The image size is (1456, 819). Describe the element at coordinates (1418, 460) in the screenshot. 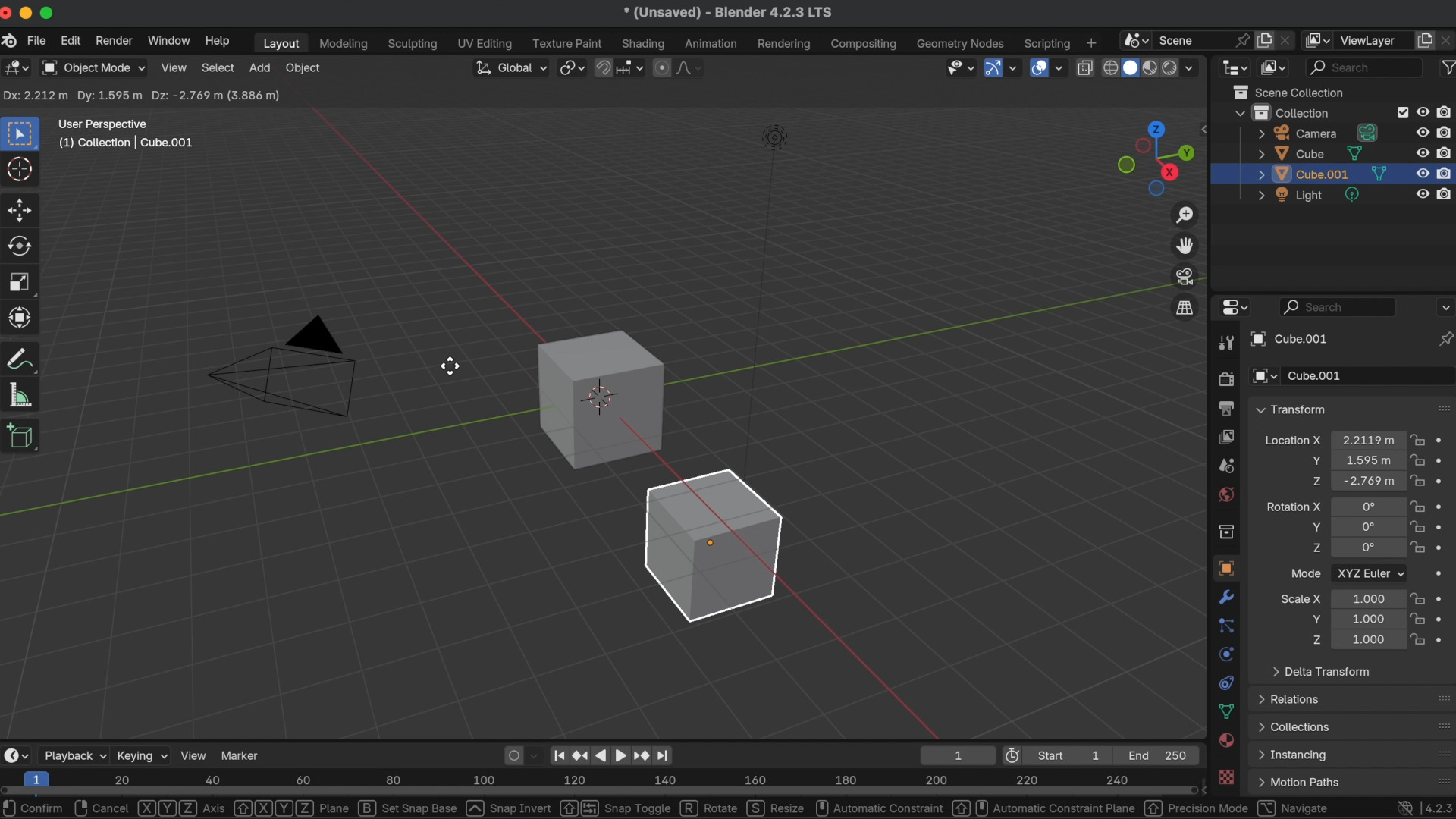

I see `lock location` at that location.